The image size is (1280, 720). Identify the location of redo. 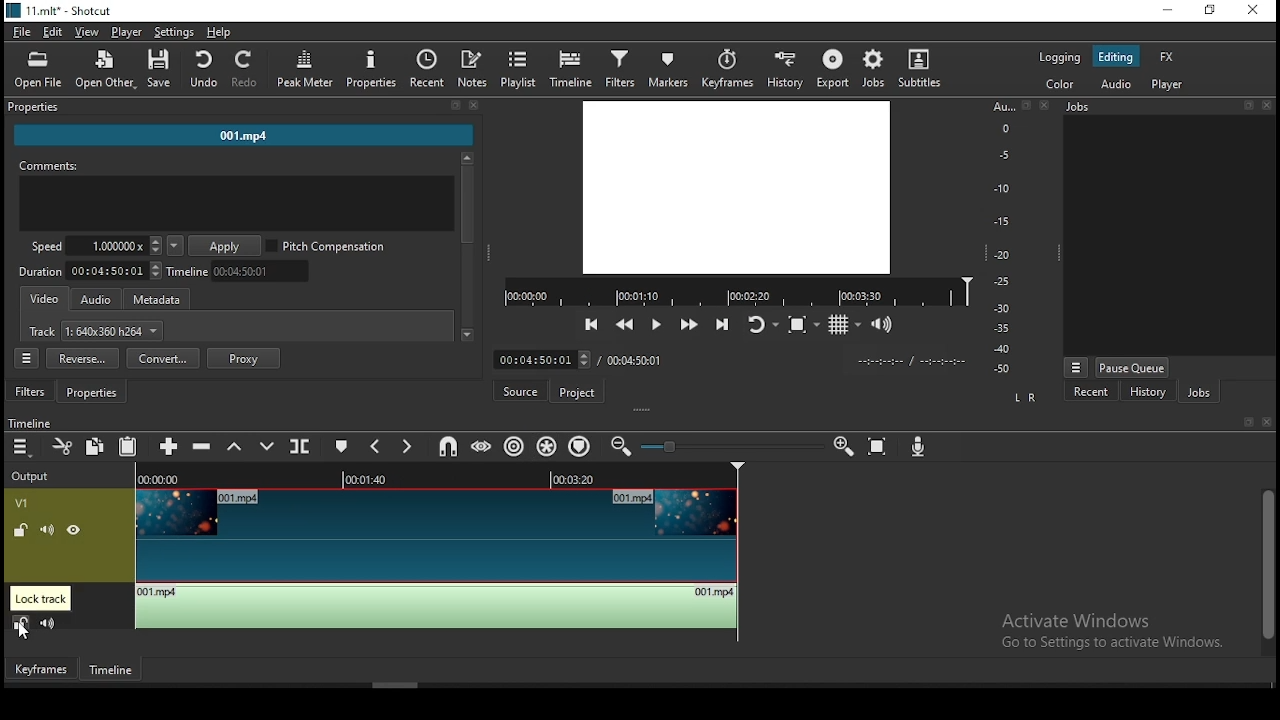
(246, 69).